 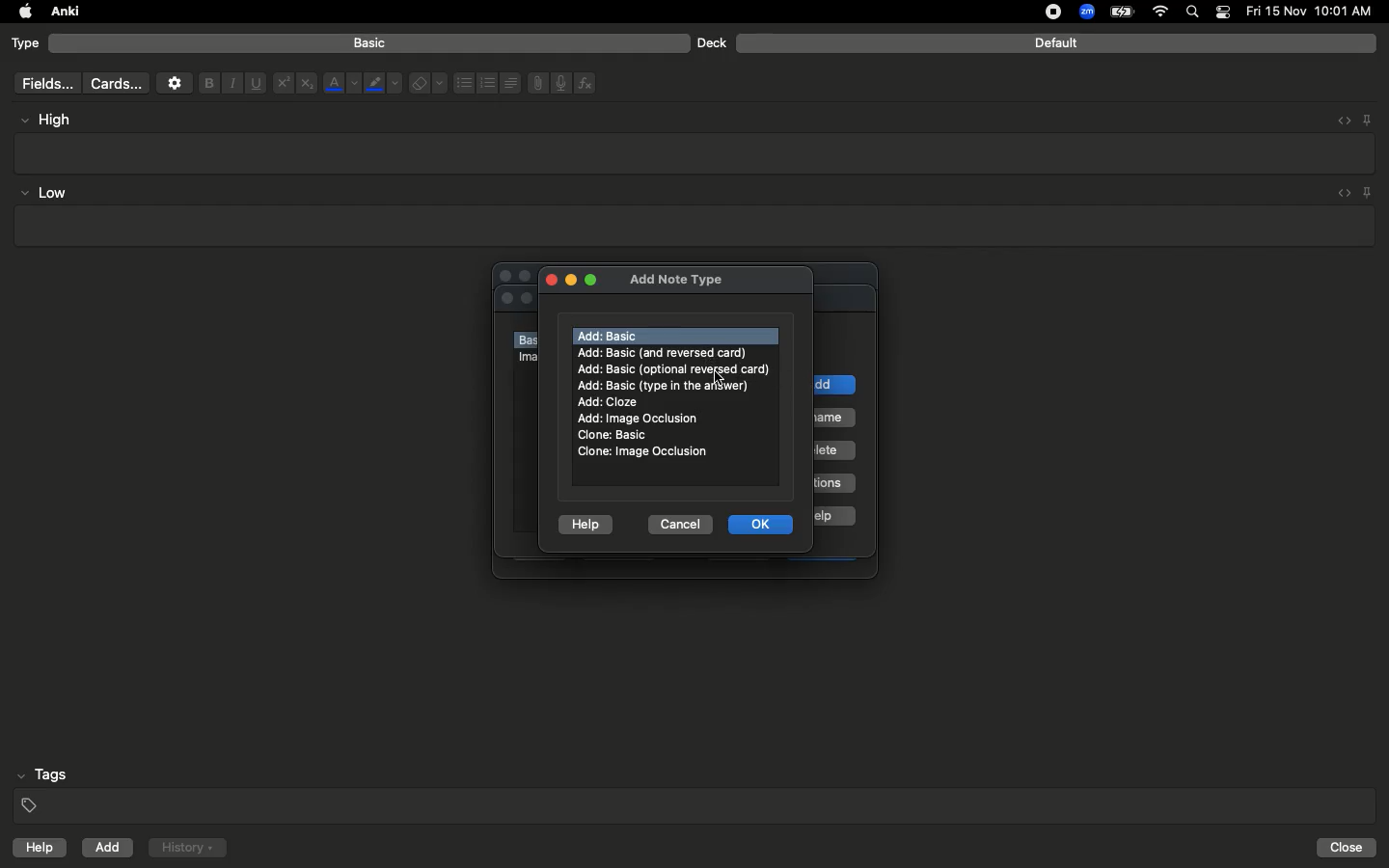 What do you see at coordinates (723, 376) in the screenshot?
I see `cursor` at bounding box center [723, 376].